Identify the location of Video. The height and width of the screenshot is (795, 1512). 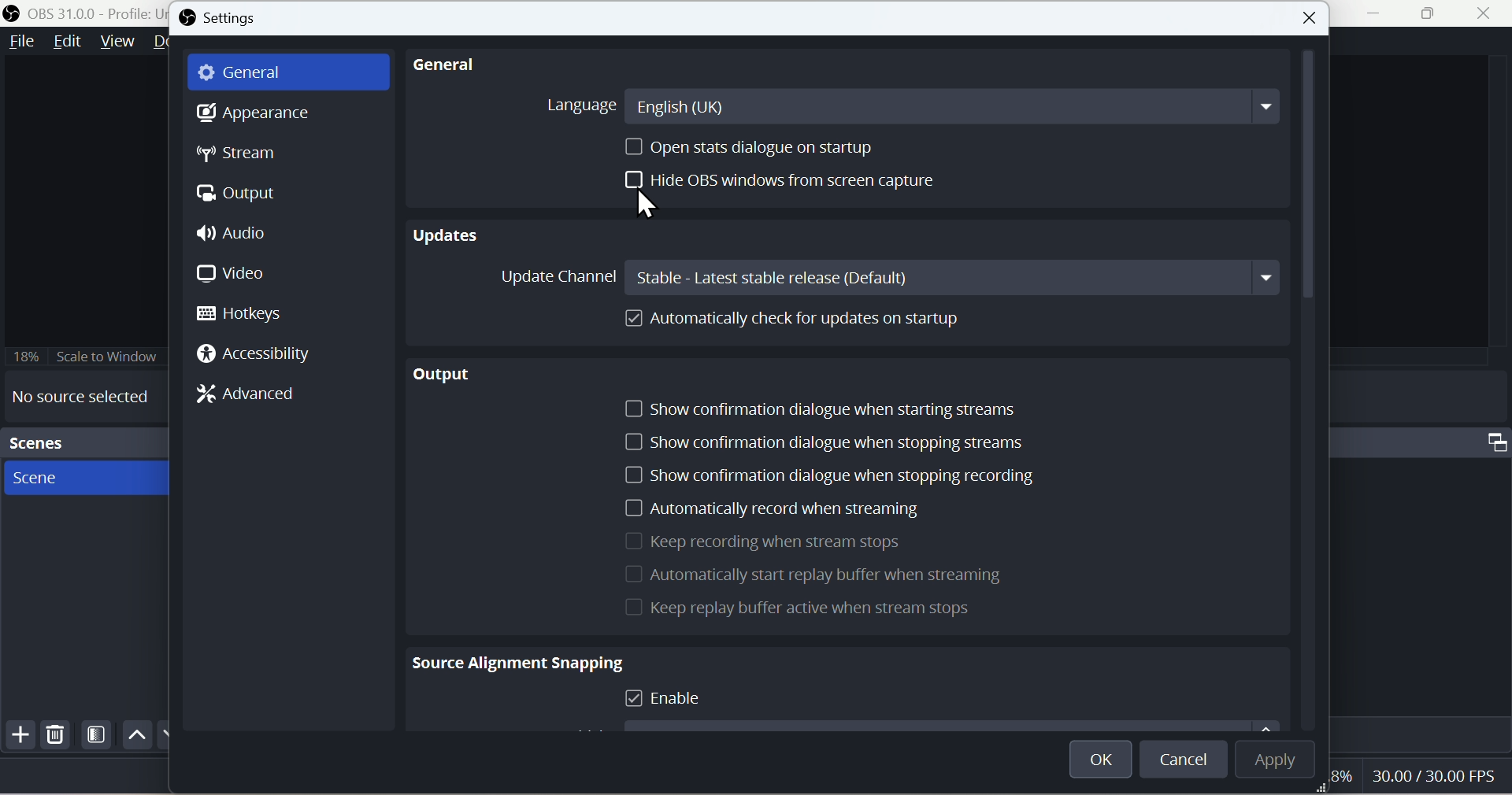
(242, 275).